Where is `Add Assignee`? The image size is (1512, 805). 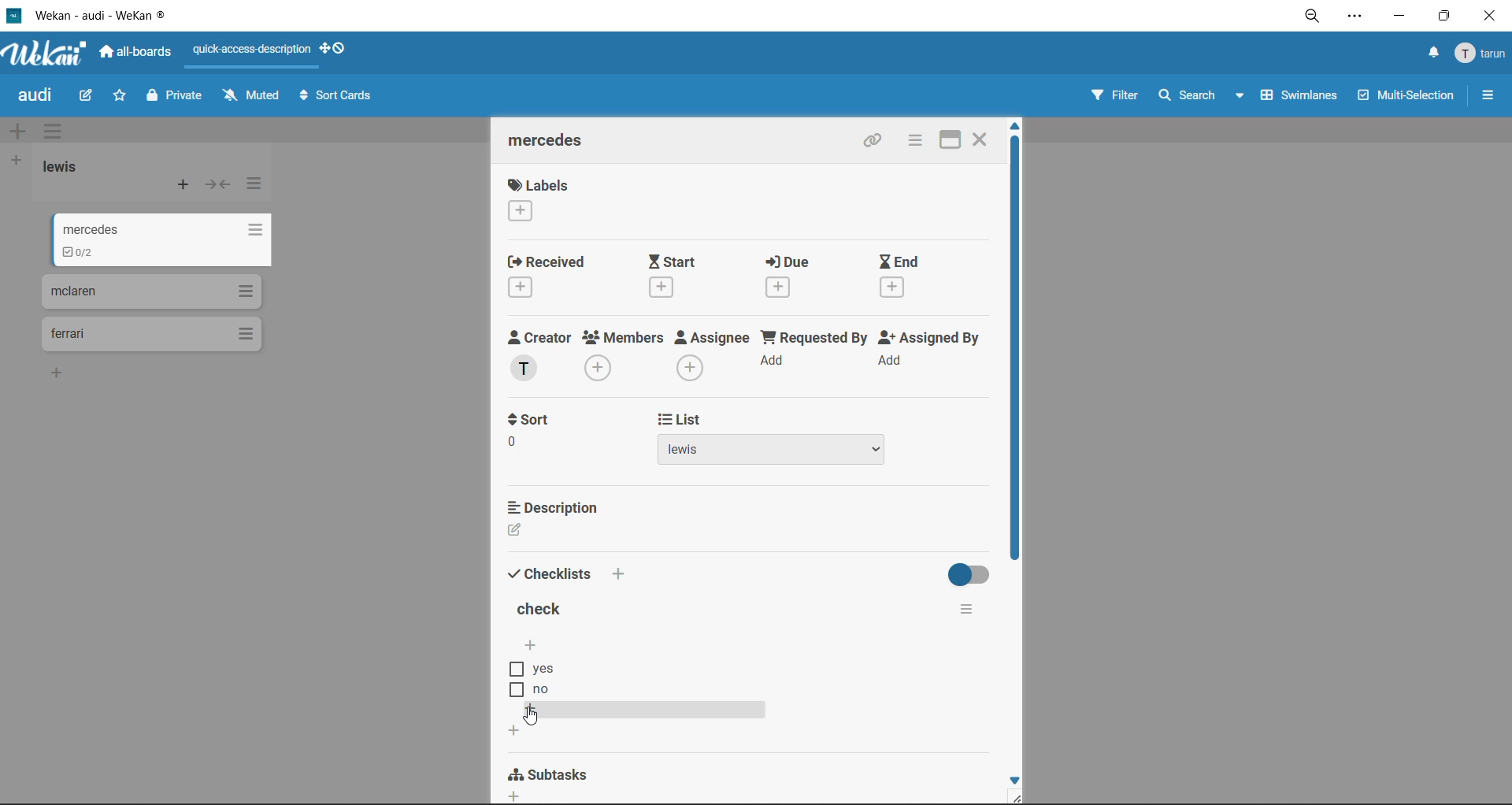
Add Assignee is located at coordinates (692, 366).